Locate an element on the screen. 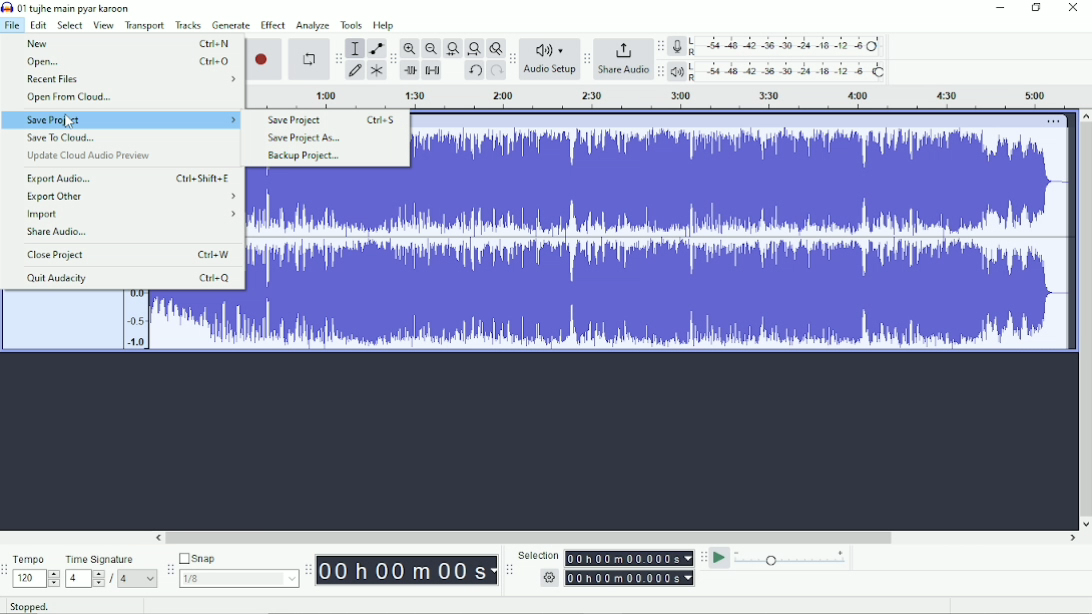 This screenshot has height=614, width=1092. Effect is located at coordinates (273, 25).